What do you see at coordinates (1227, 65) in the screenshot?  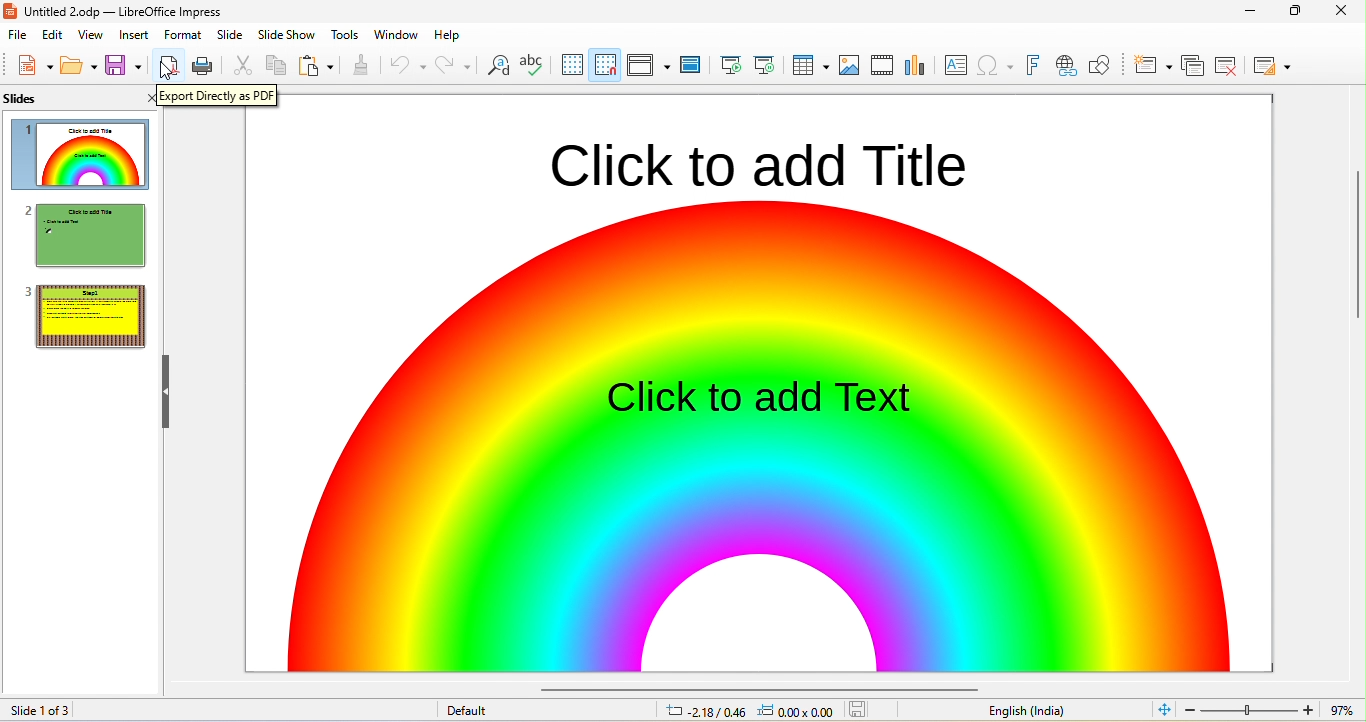 I see `delete slide` at bounding box center [1227, 65].